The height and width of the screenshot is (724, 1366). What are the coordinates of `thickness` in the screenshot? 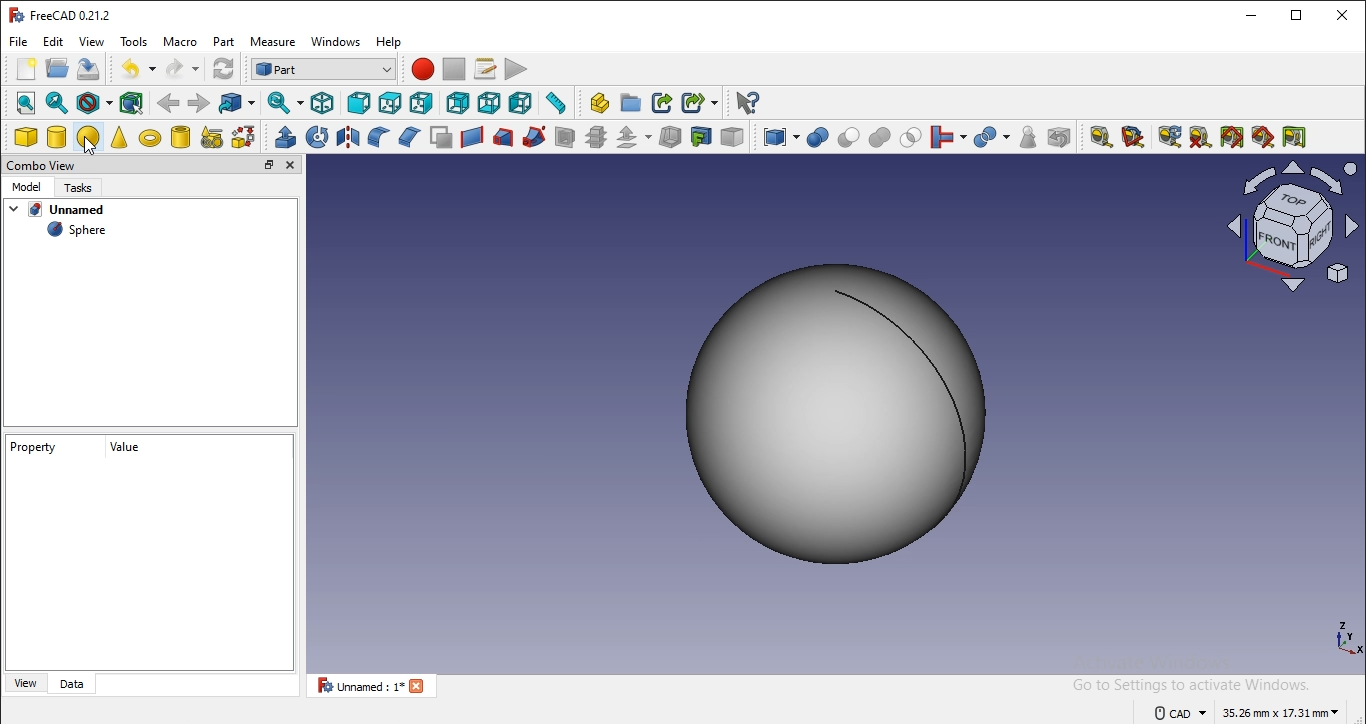 It's located at (669, 138).